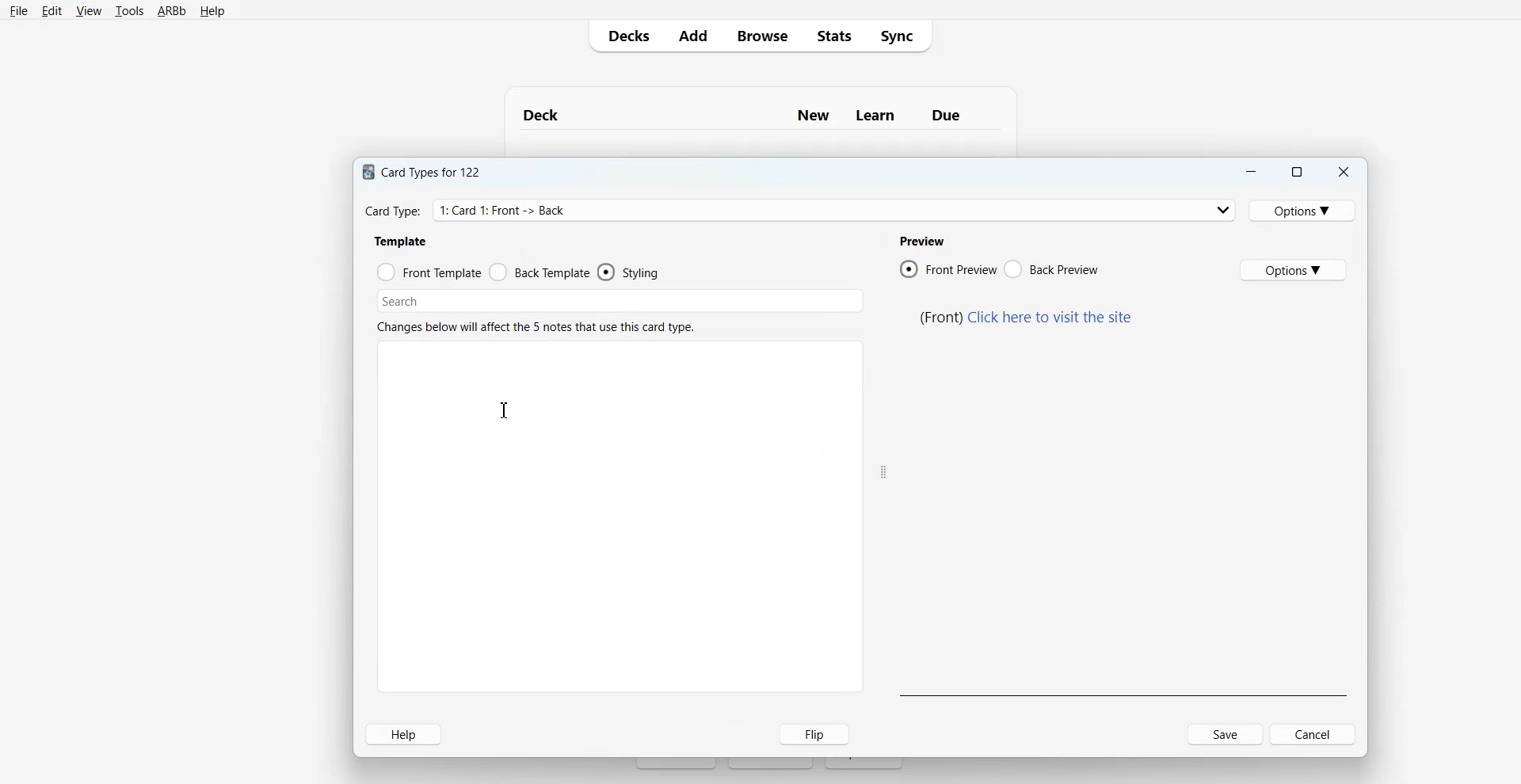  What do you see at coordinates (405, 242) in the screenshot?
I see `text 2` at bounding box center [405, 242].